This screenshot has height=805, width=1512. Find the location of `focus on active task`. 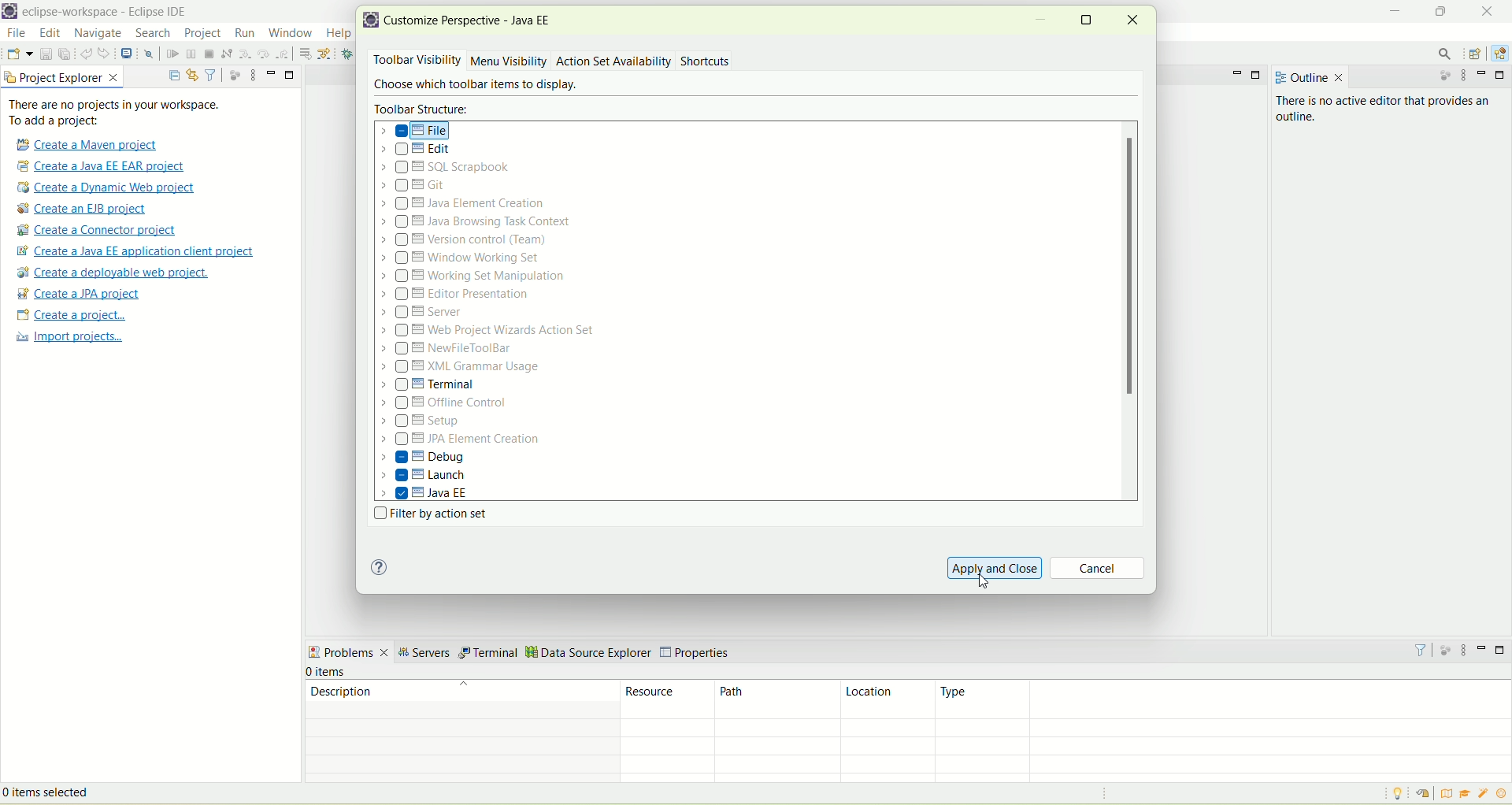

focus on active task is located at coordinates (1443, 79).